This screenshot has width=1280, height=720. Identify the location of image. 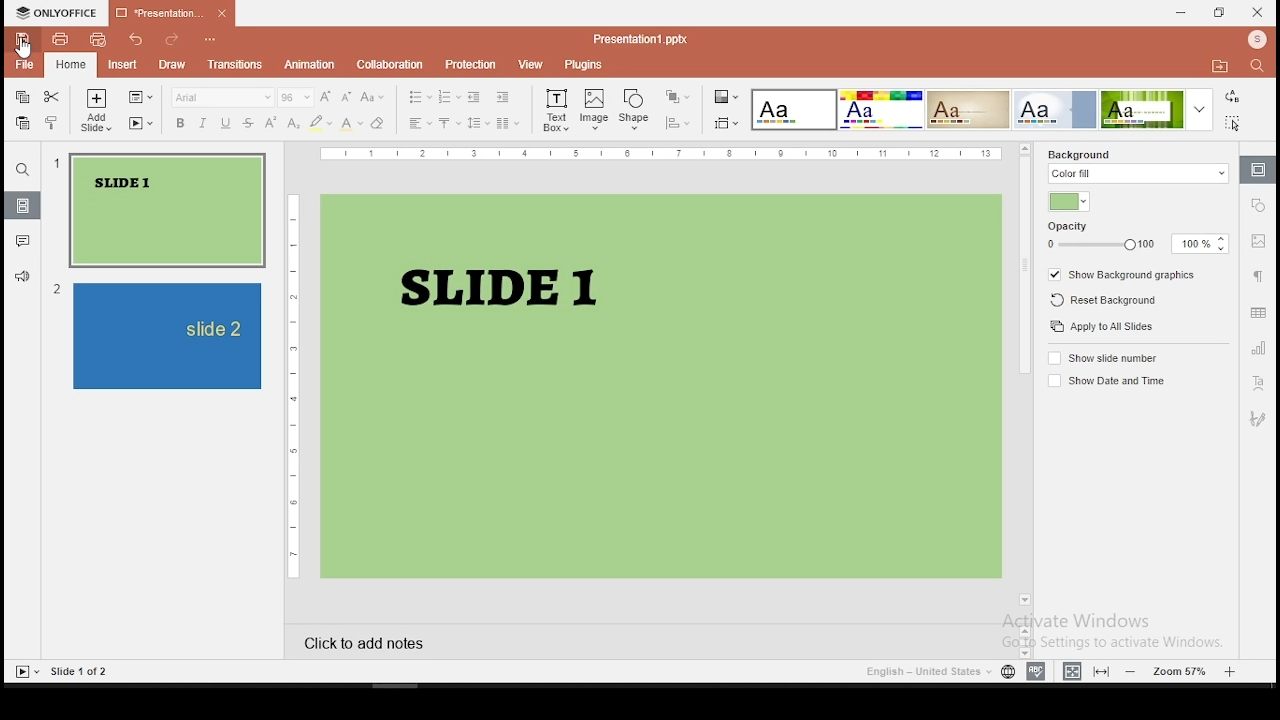
(594, 109).